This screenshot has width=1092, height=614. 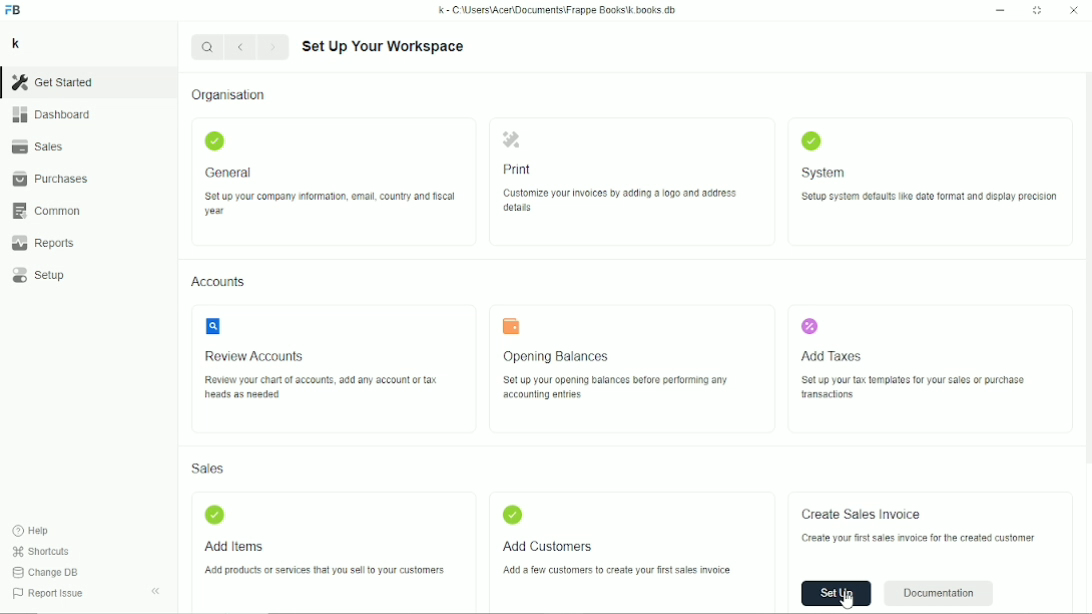 I want to click on Report issue, so click(x=47, y=593).